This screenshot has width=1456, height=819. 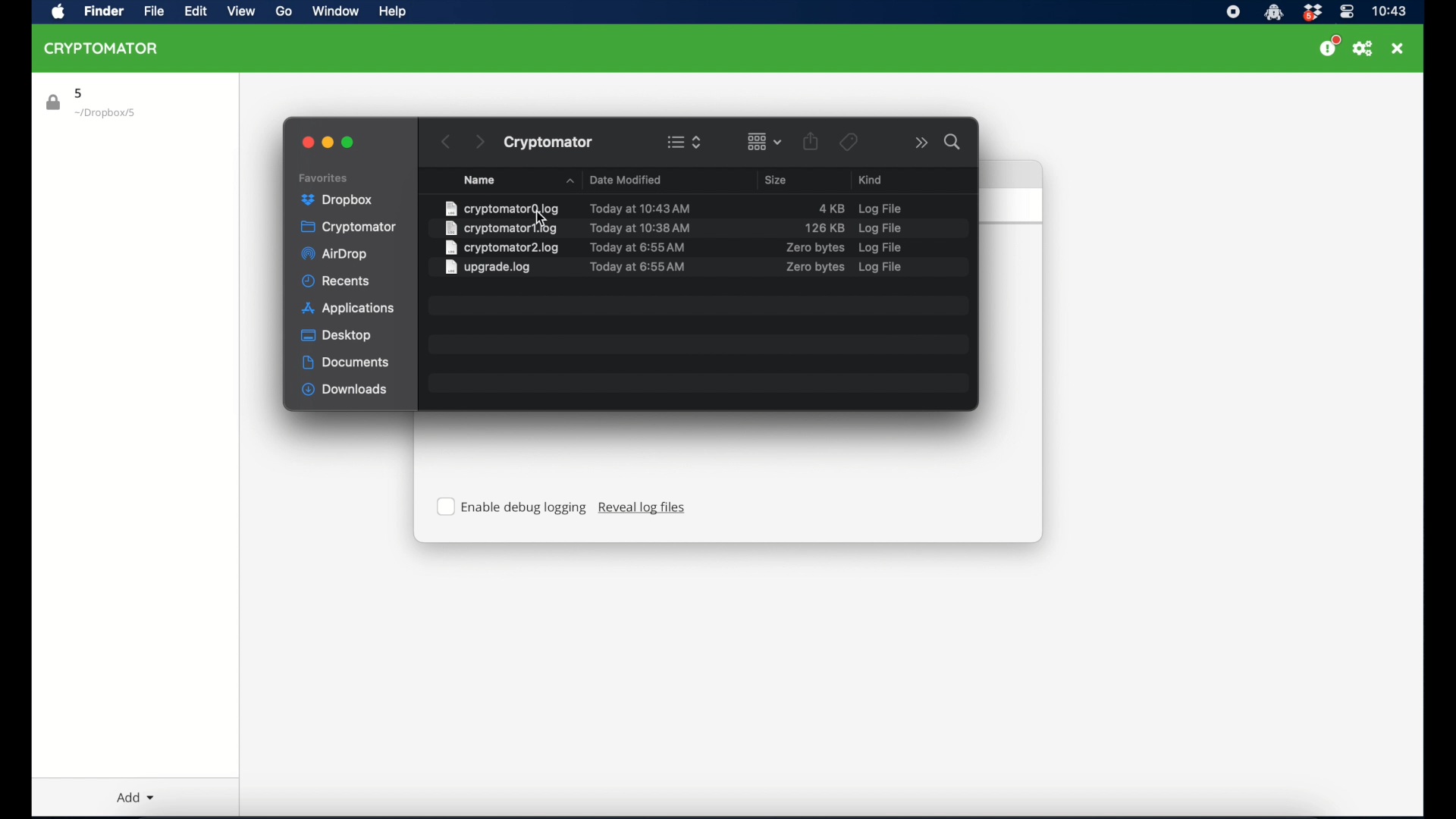 What do you see at coordinates (334, 11) in the screenshot?
I see `window` at bounding box center [334, 11].